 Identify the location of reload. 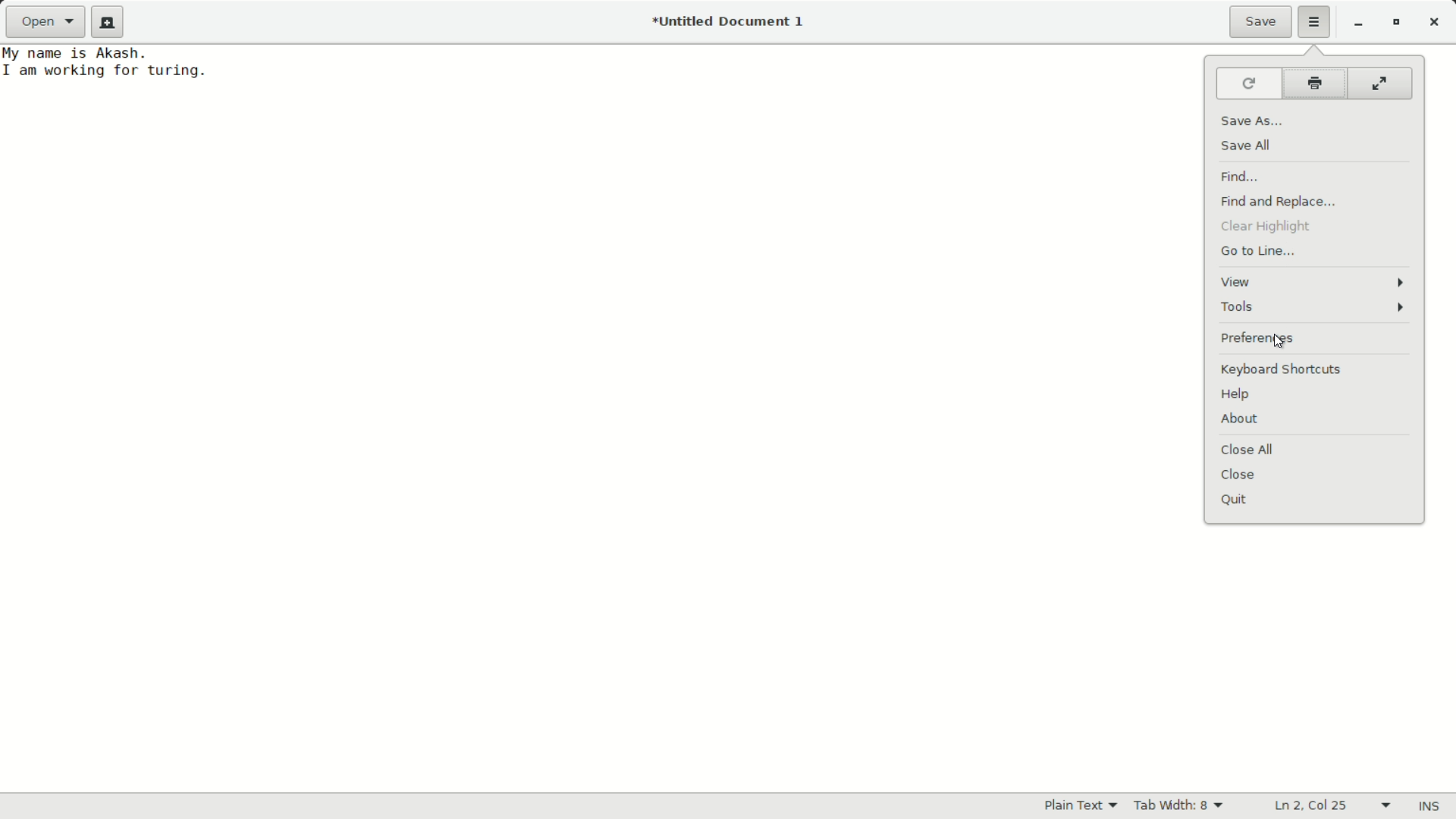
(1249, 84).